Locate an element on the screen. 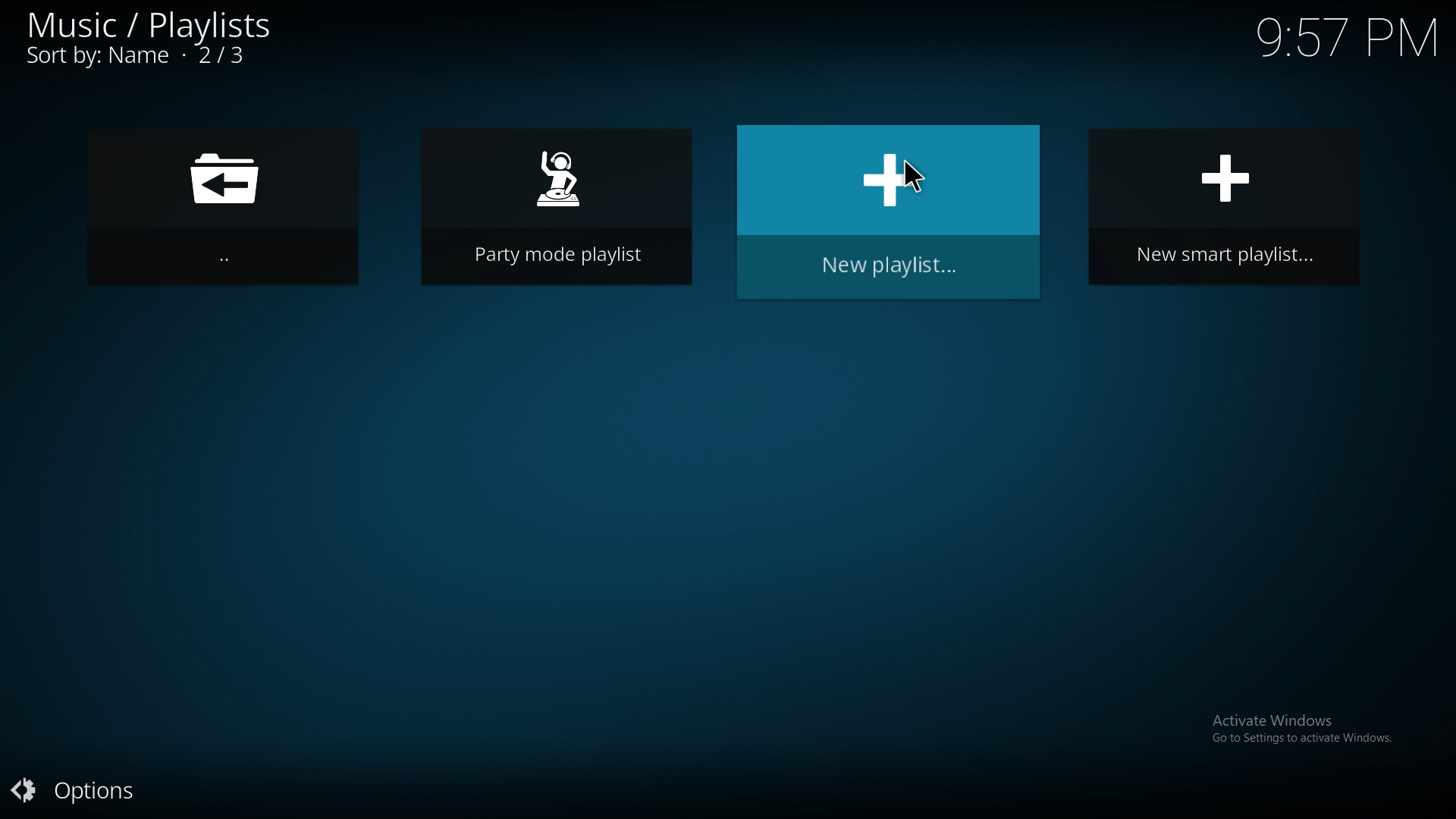 This screenshot has width=1456, height=819. pointer cursor is located at coordinates (913, 177).